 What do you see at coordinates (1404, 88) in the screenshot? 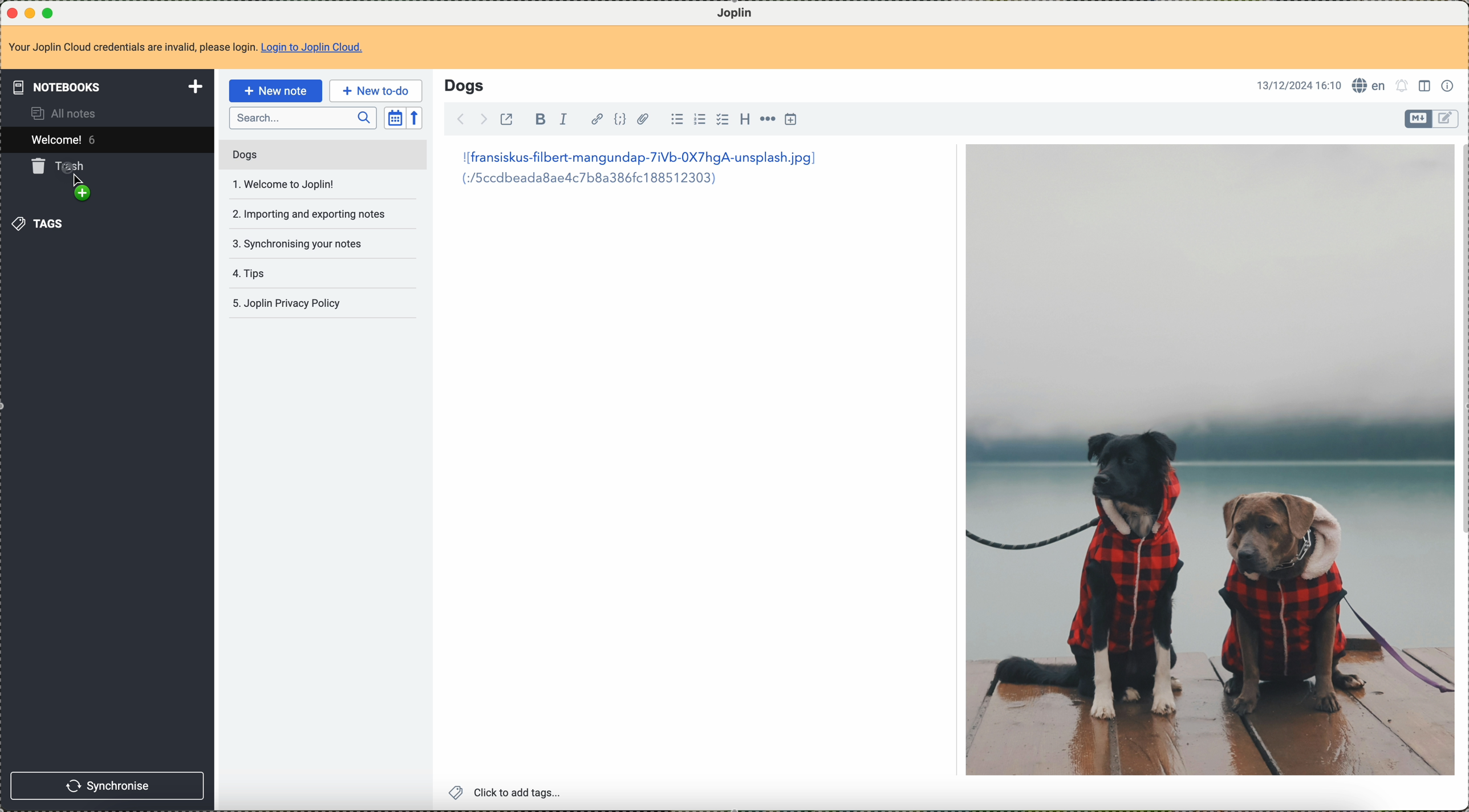
I see `set alarm` at bounding box center [1404, 88].